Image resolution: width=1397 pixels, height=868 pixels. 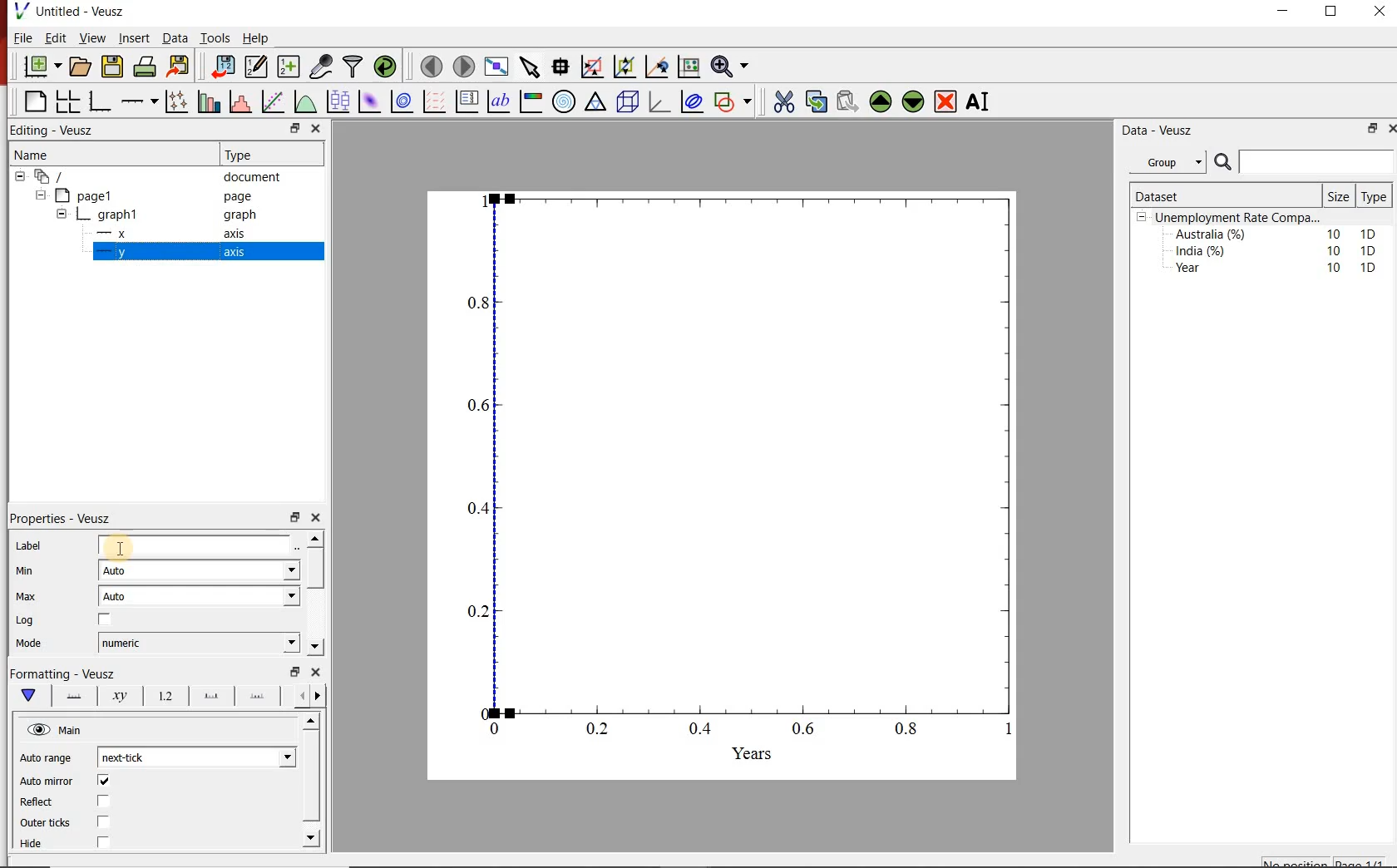 What do you see at coordinates (311, 838) in the screenshot?
I see `move down` at bounding box center [311, 838].